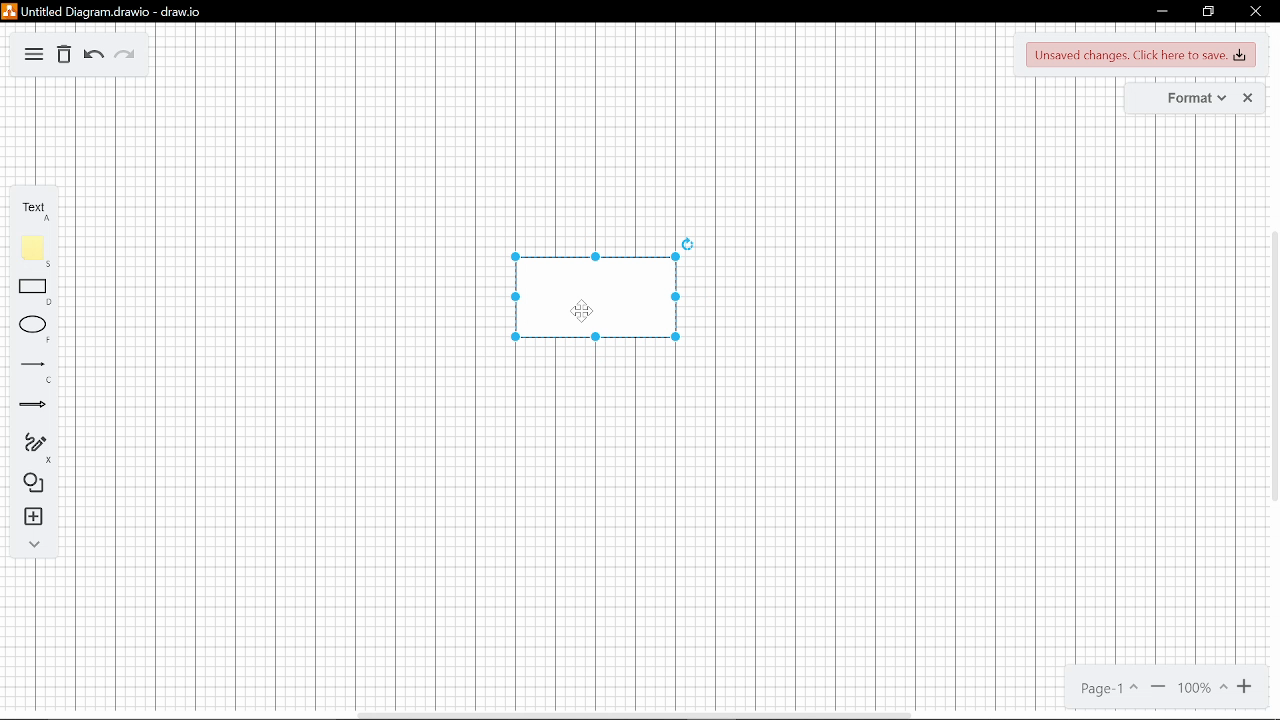  Describe the element at coordinates (1168, 686) in the screenshot. I see `Page 1` at that location.